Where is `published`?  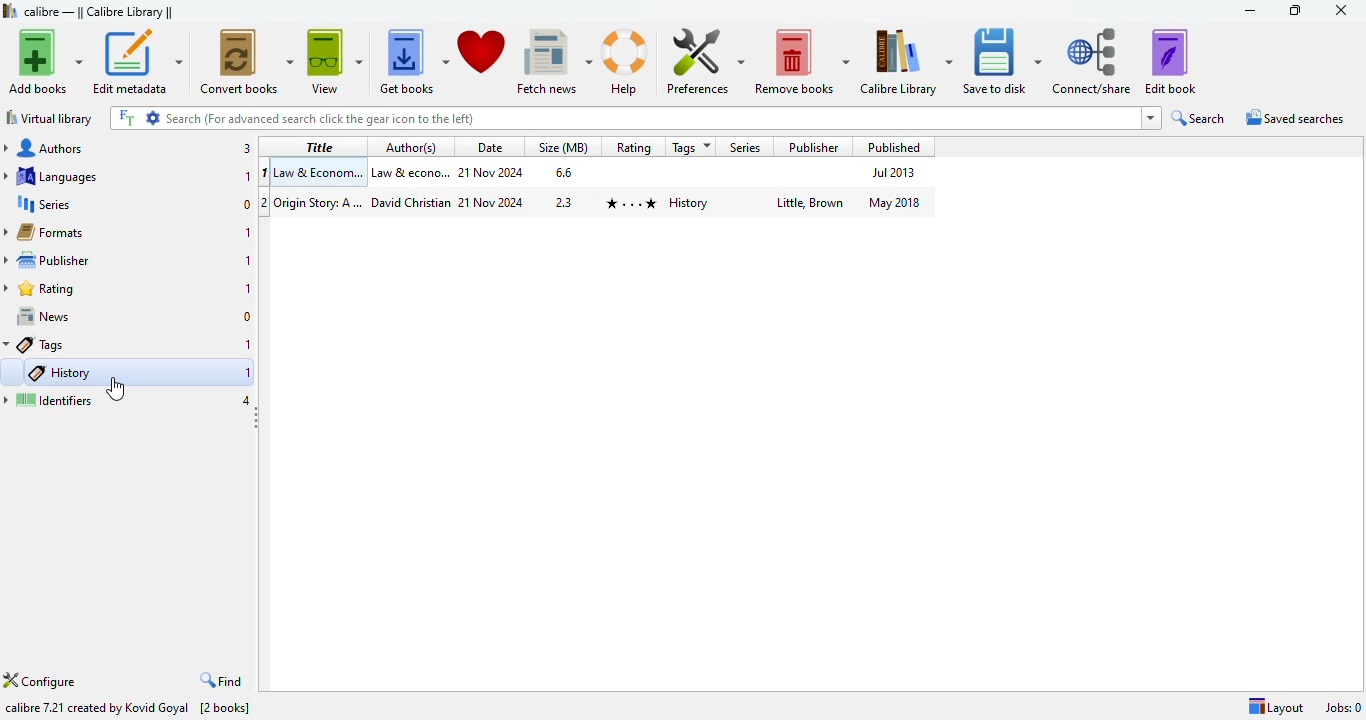
published is located at coordinates (895, 146).